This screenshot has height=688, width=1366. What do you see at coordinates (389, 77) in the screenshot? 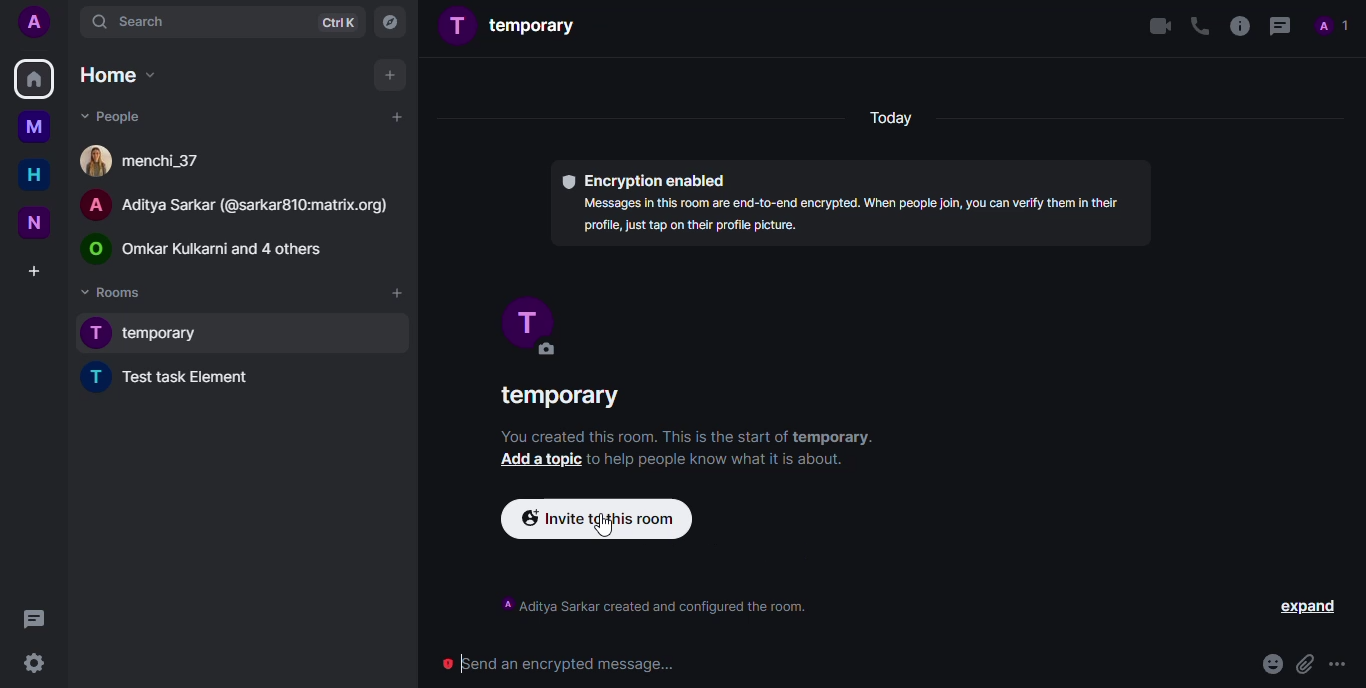
I see `add` at bounding box center [389, 77].